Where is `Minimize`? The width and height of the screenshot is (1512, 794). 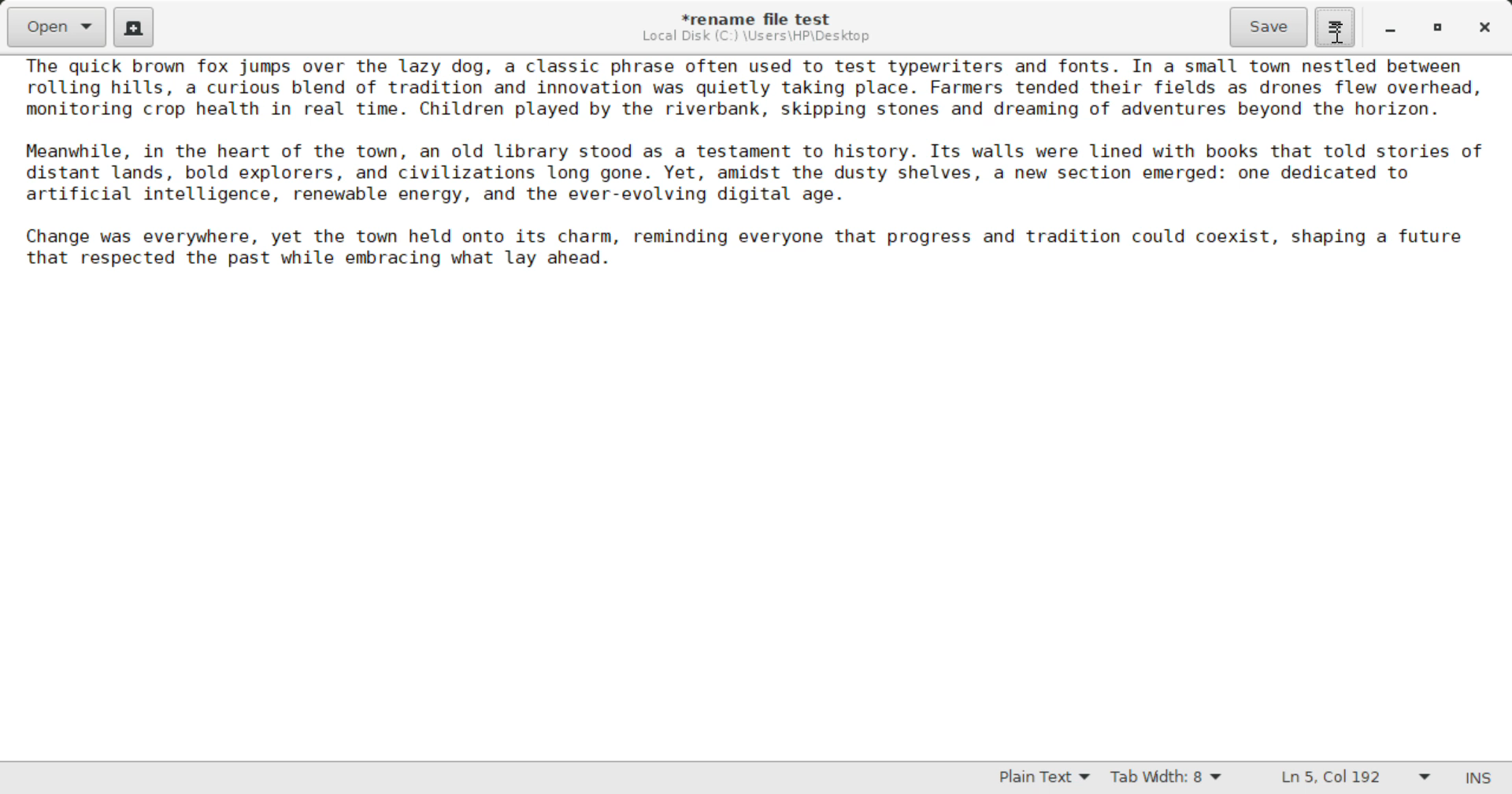 Minimize is located at coordinates (1438, 28).